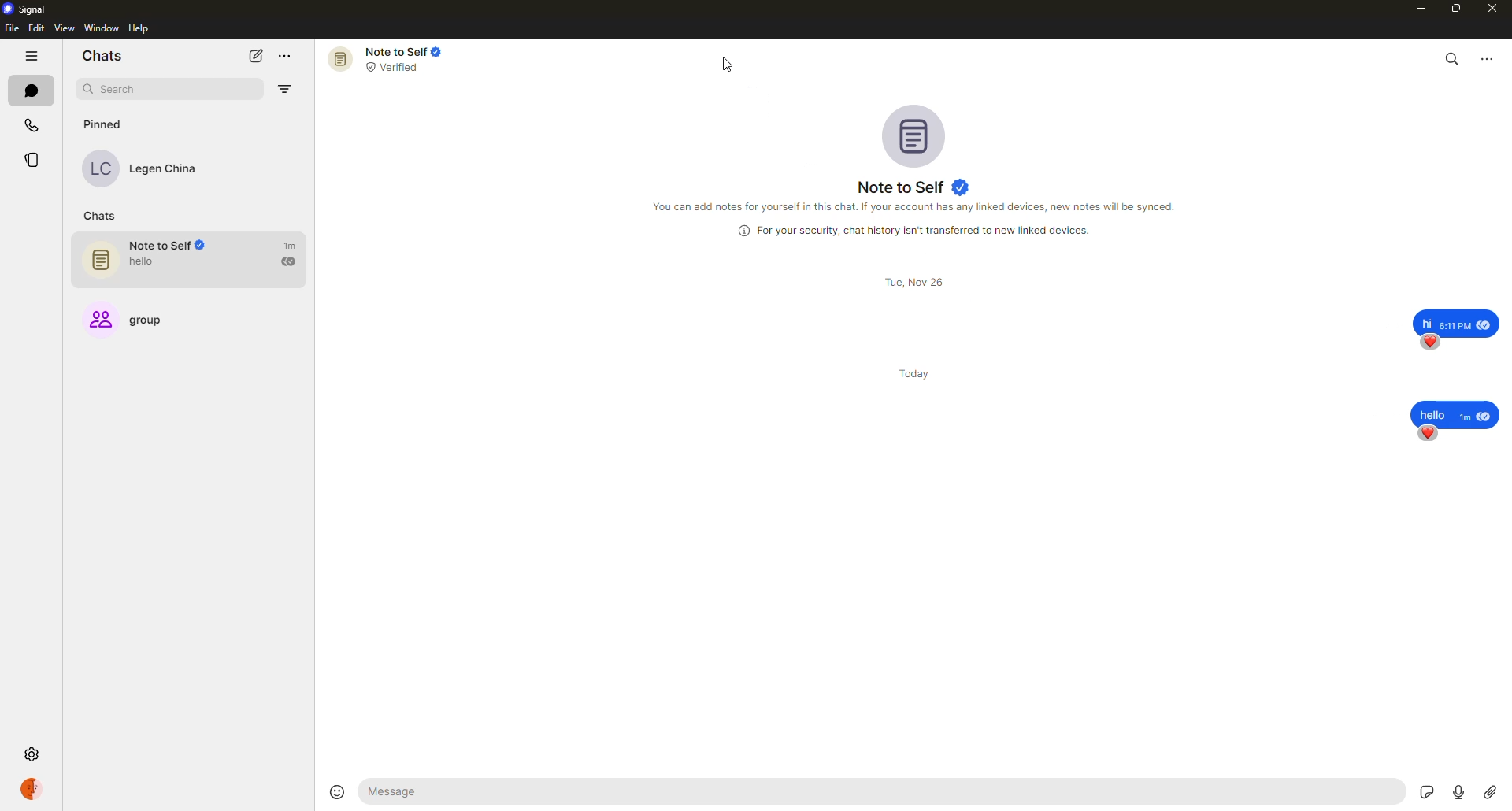 This screenshot has width=1512, height=811. What do you see at coordinates (28, 9) in the screenshot?
I see `signal` at bounding box center [28, 9].